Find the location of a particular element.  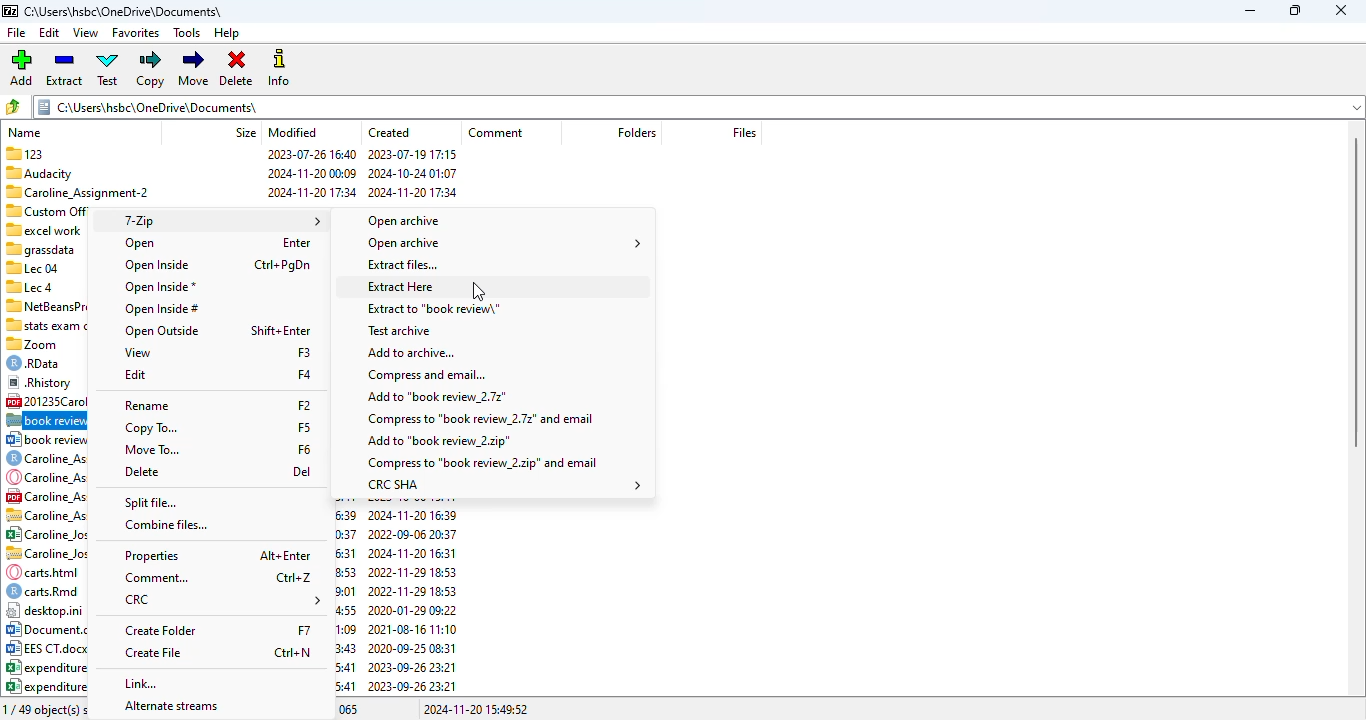

minimize is located at coordinates (1250, 11).